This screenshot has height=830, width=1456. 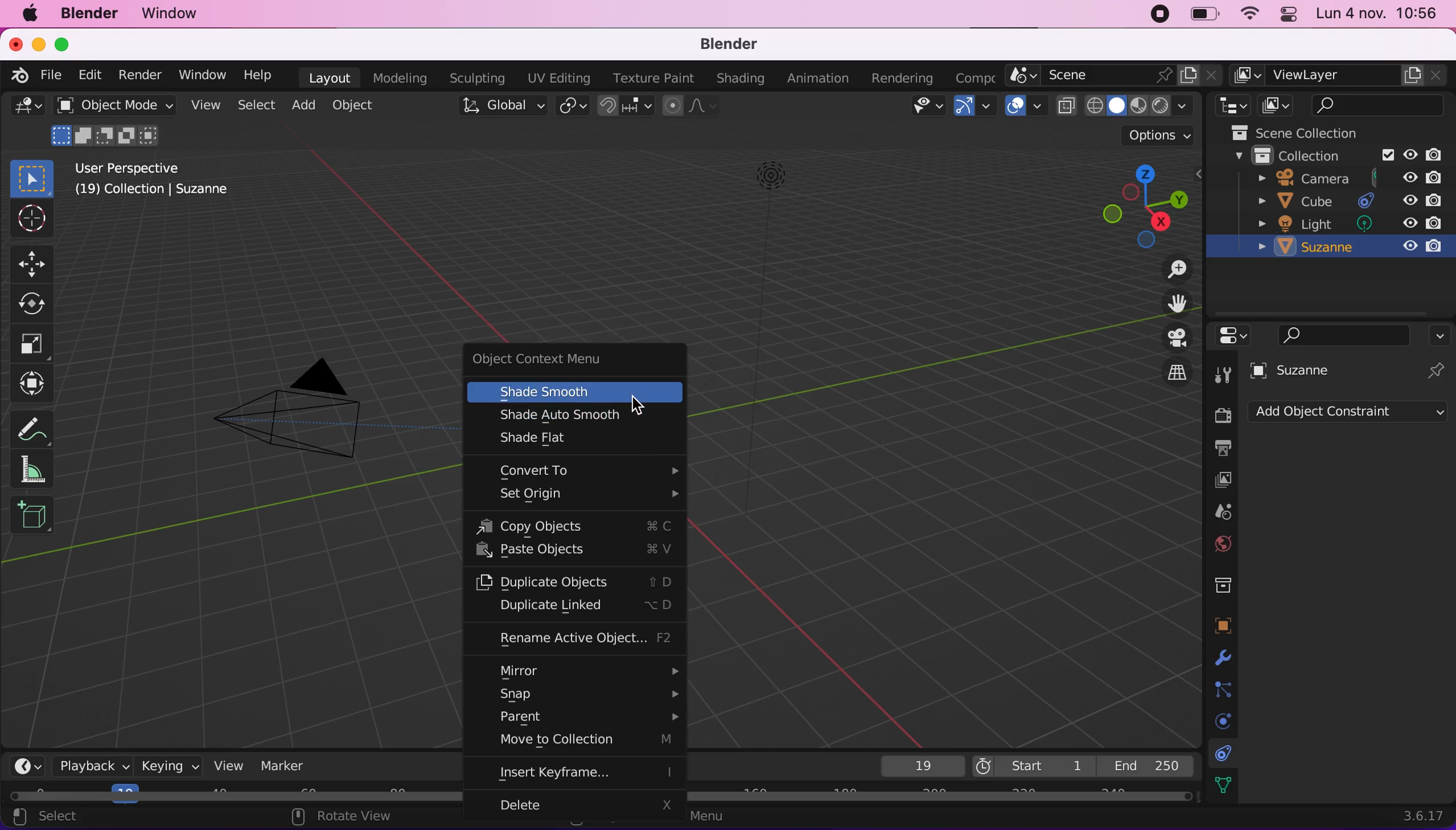 I want to click on edit, so click(x=90, y=75).